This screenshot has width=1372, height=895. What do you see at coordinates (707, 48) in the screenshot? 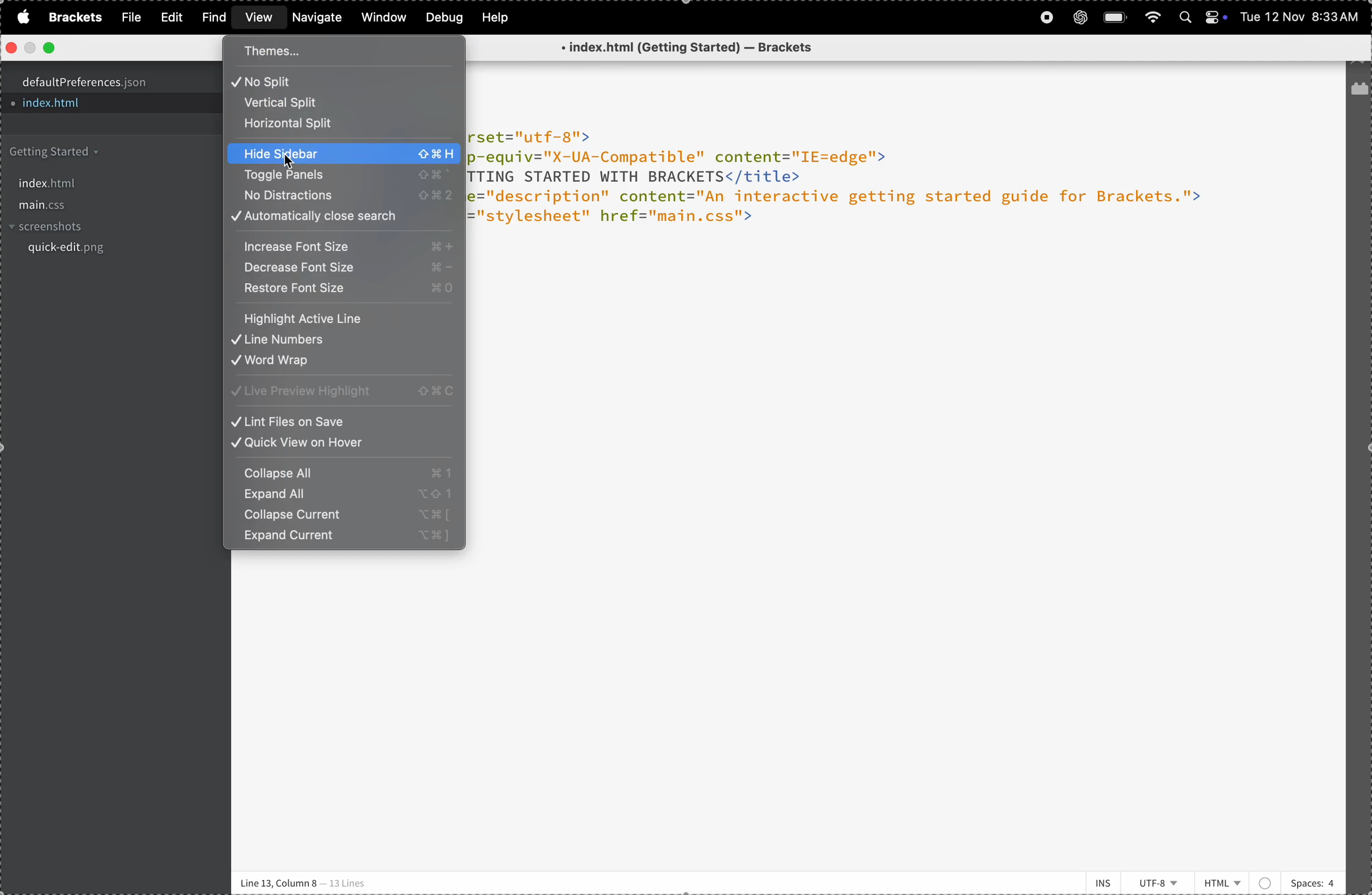
I see `title brackets` at bounding box center [707, 48].